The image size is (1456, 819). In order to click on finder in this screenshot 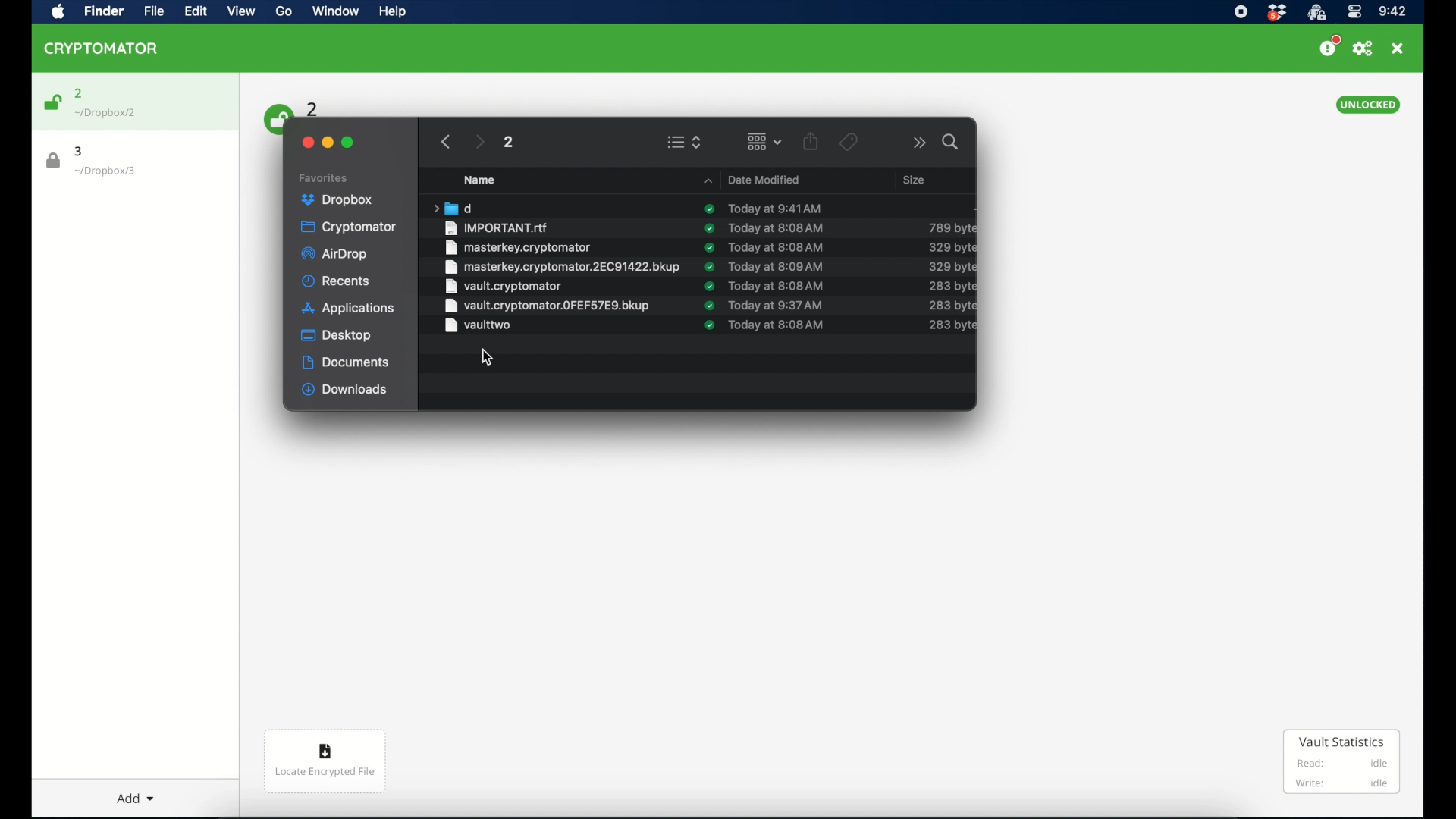, I will do `click(102, 11)`.